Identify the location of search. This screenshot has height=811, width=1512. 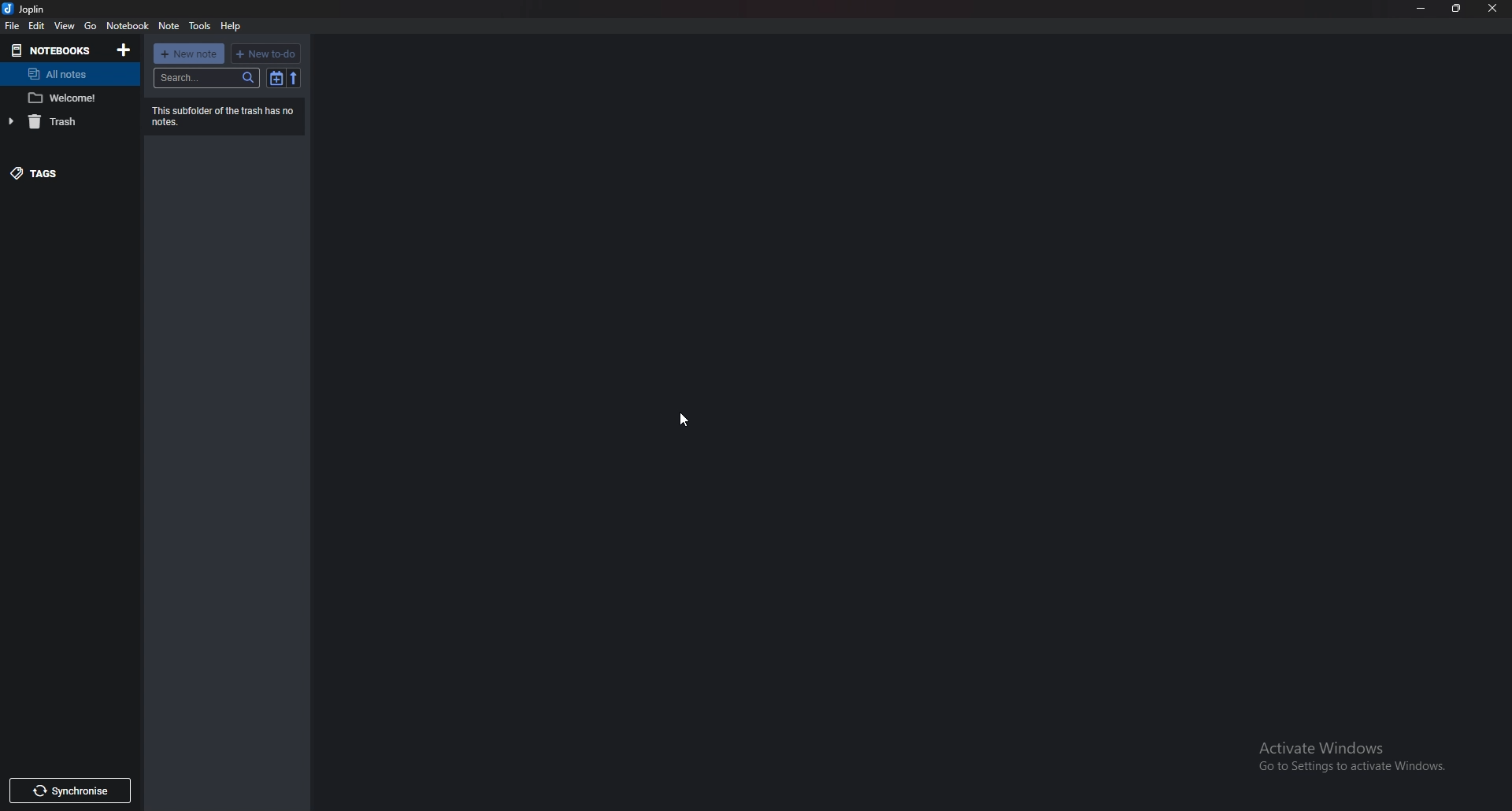
(207, 78).